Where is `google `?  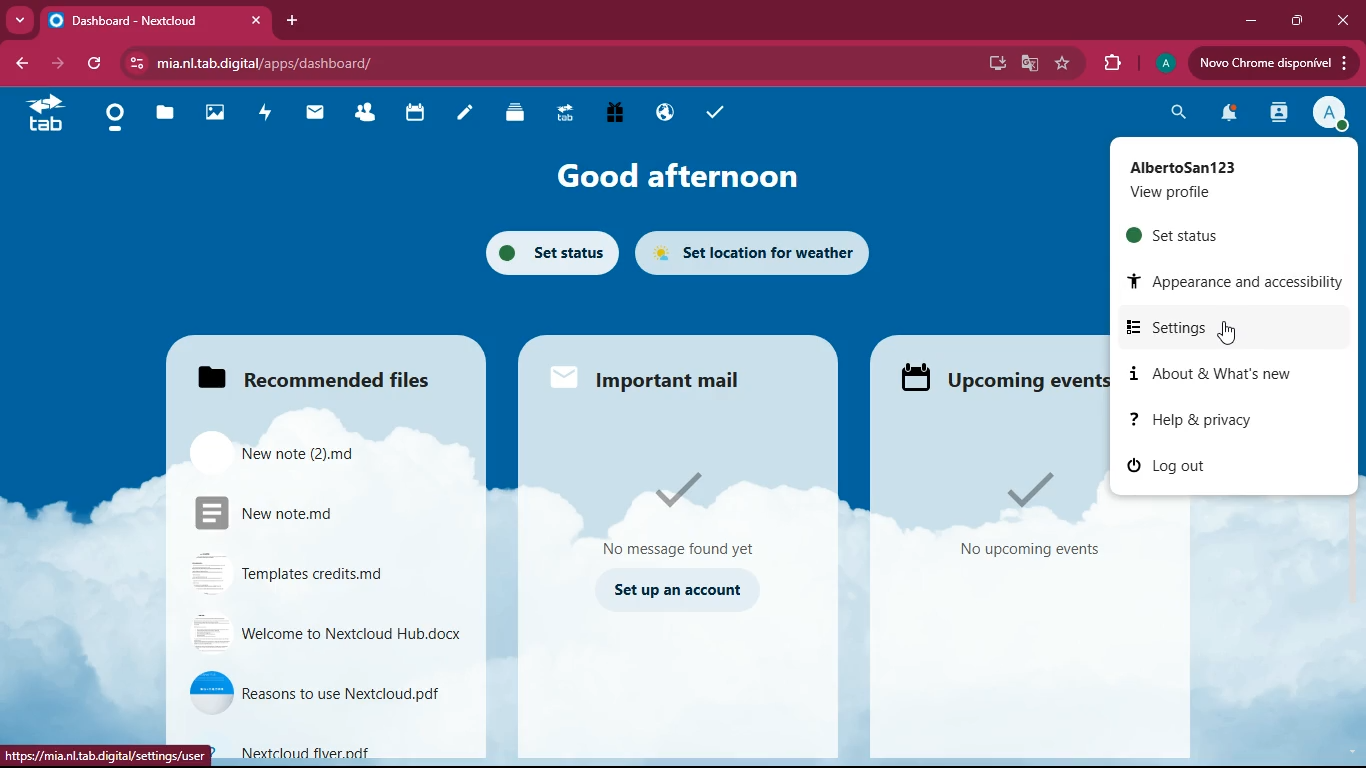 google  is located at coordinates (1025, 64).